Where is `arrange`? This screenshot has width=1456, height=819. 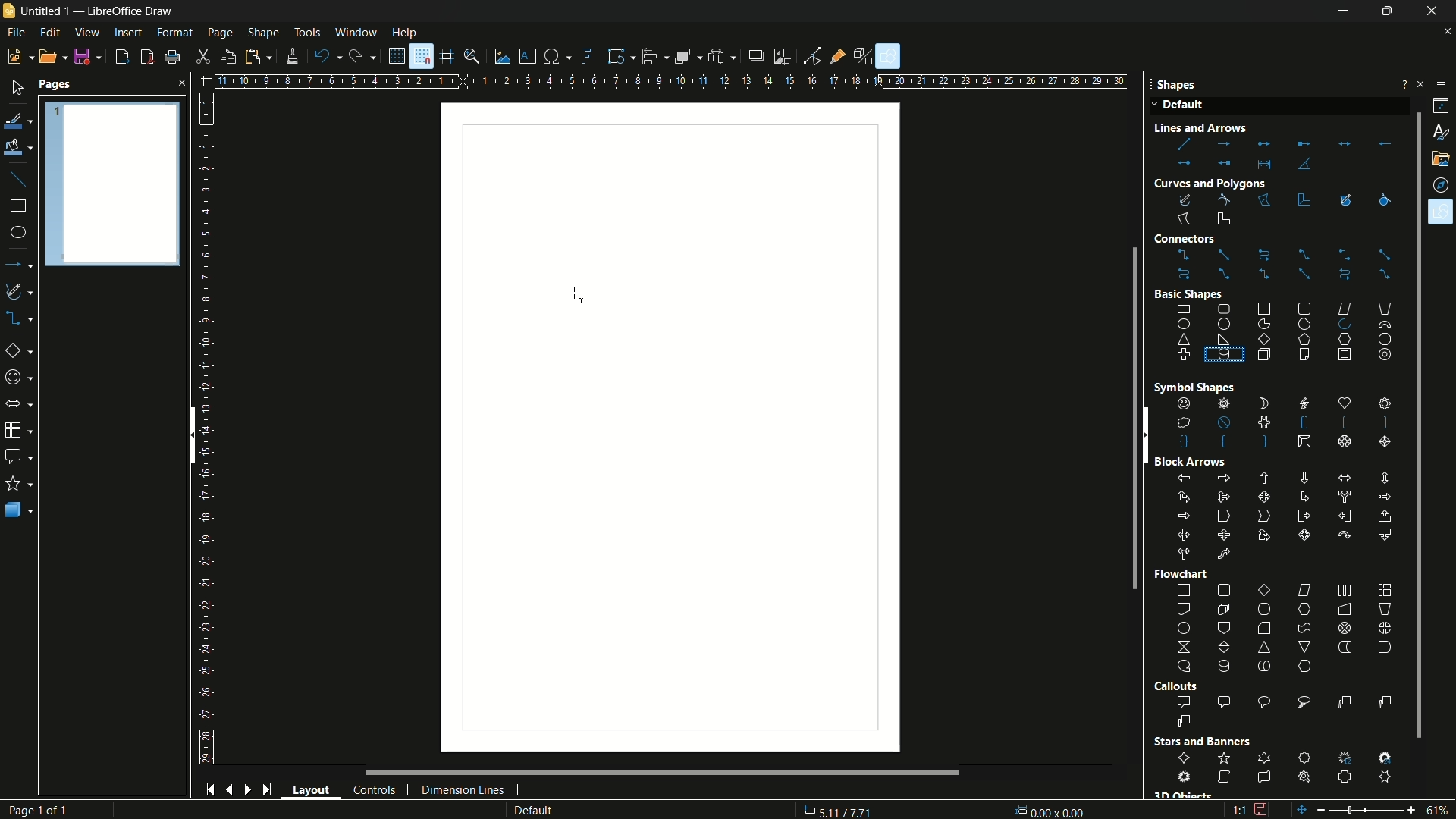
arrange is located at coordinates (688, 58).